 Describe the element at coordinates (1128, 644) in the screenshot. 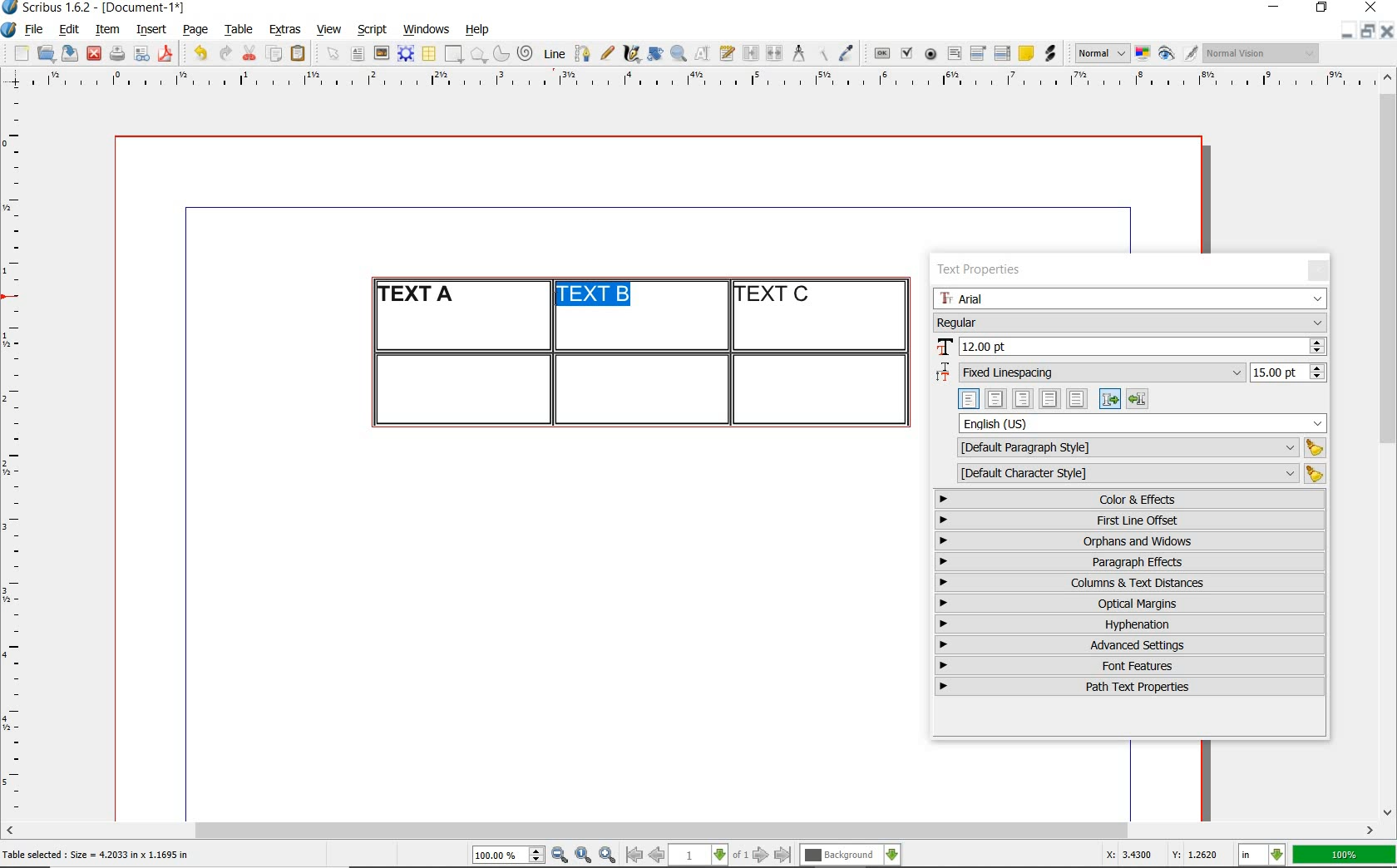

I see `advanced settings` at that location.